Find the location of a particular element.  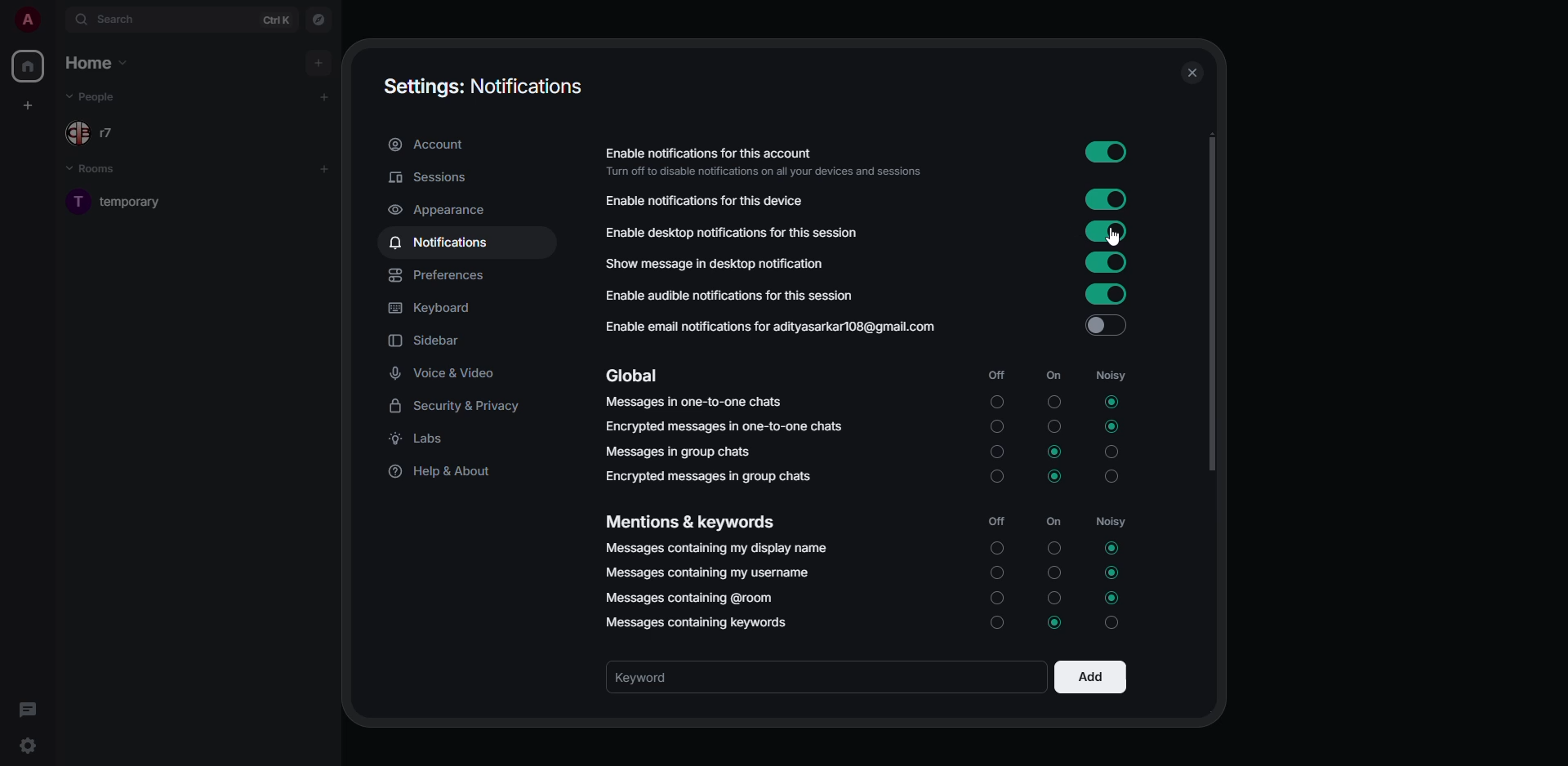

selected is located at coordinates (1115, 549).